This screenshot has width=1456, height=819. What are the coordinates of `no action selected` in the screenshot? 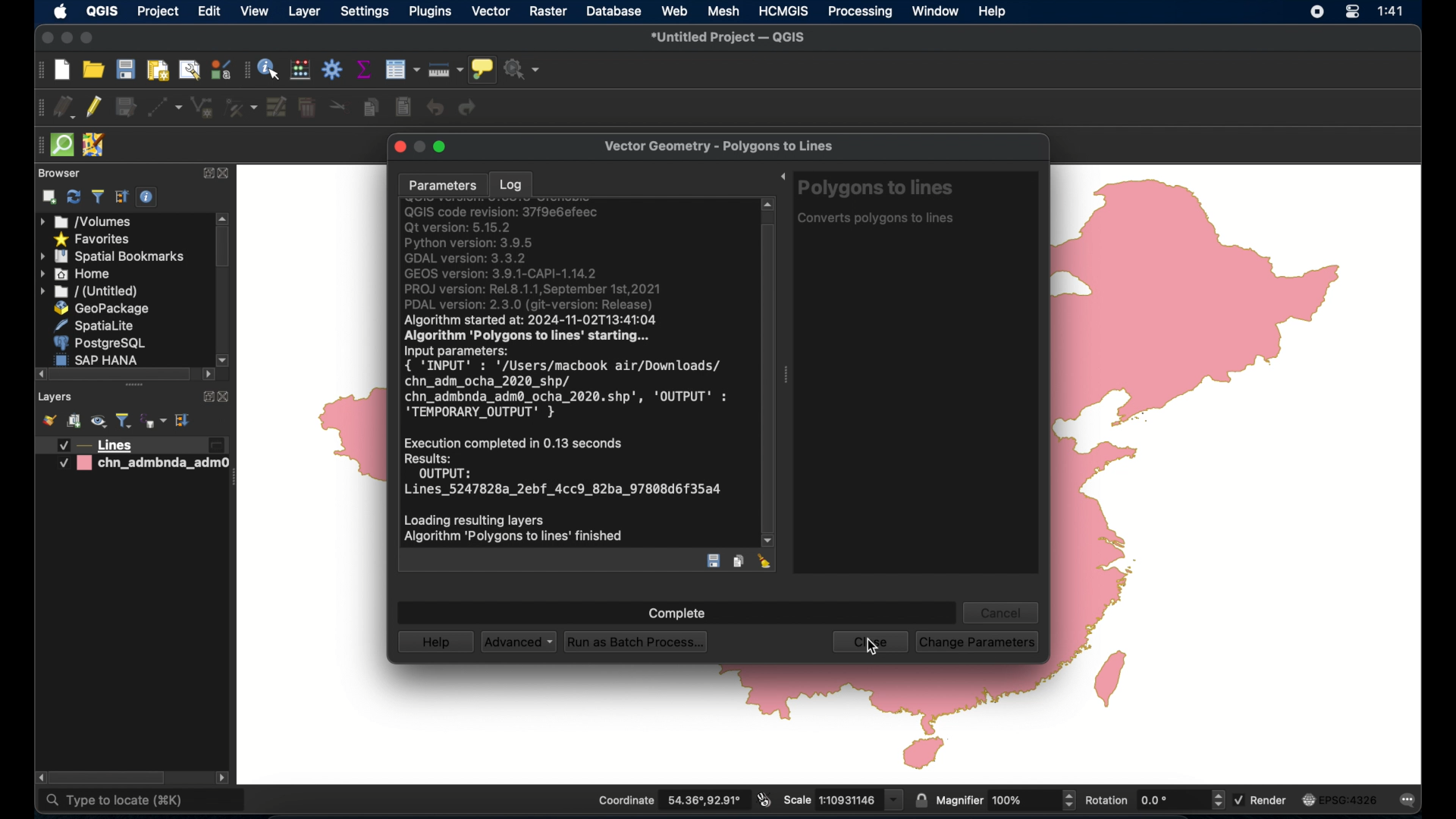 It's located at (523, 69).